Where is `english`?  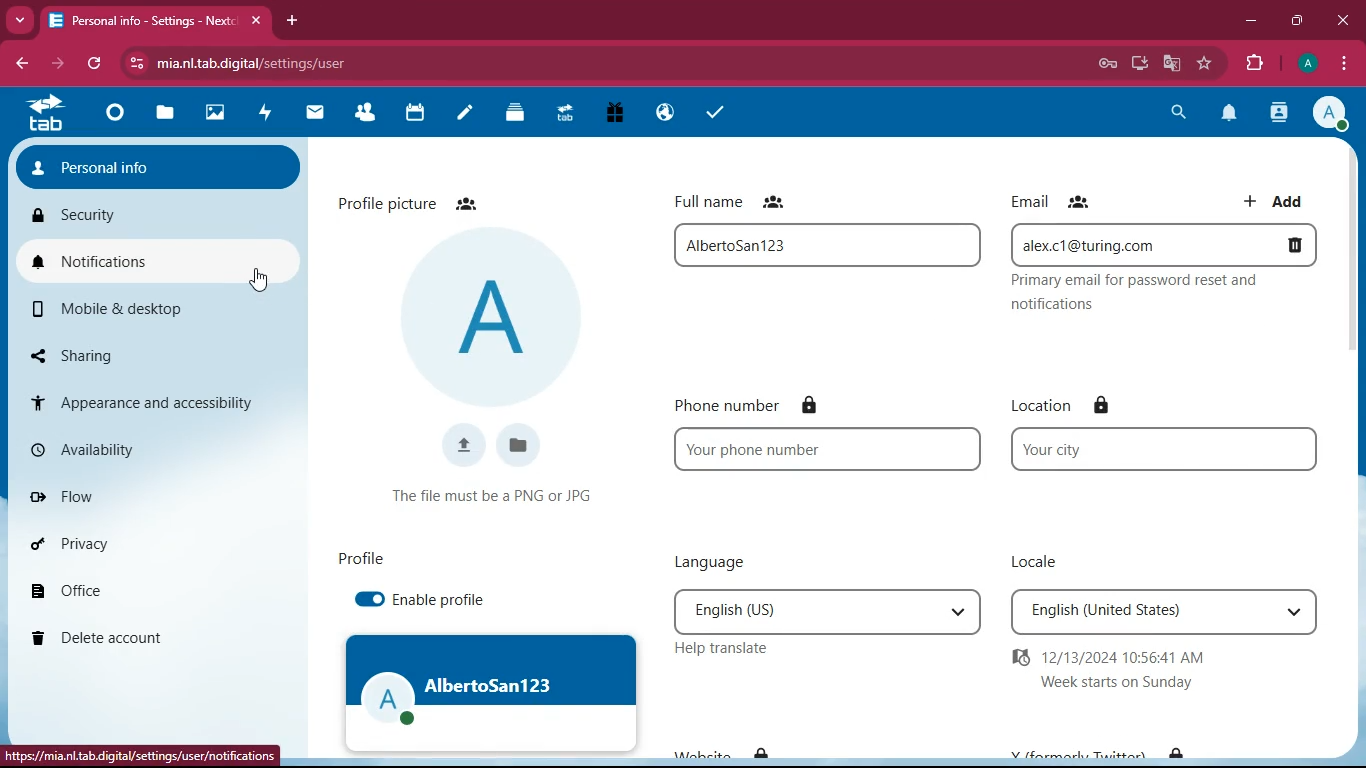
english is located at coordinates (803, 612).